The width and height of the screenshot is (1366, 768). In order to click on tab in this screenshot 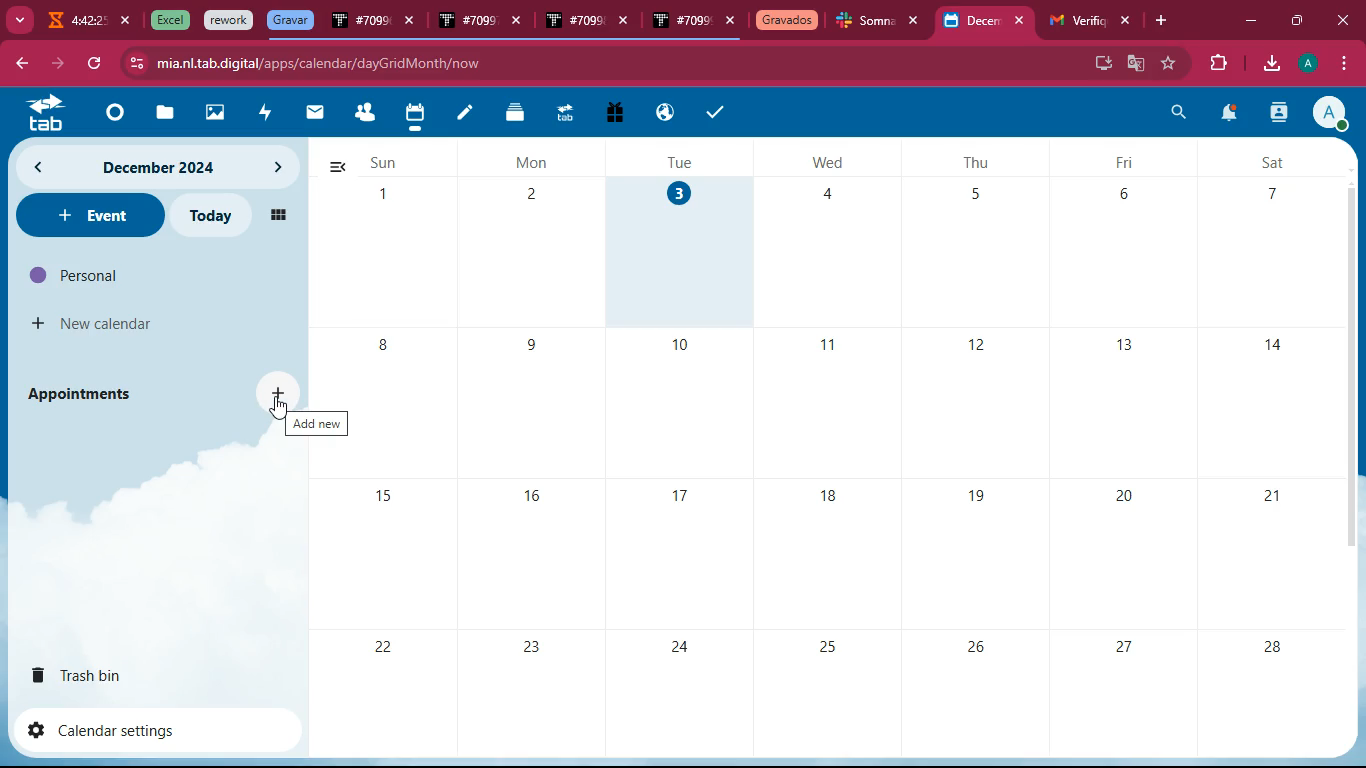, I will do `click(167, 20)`.